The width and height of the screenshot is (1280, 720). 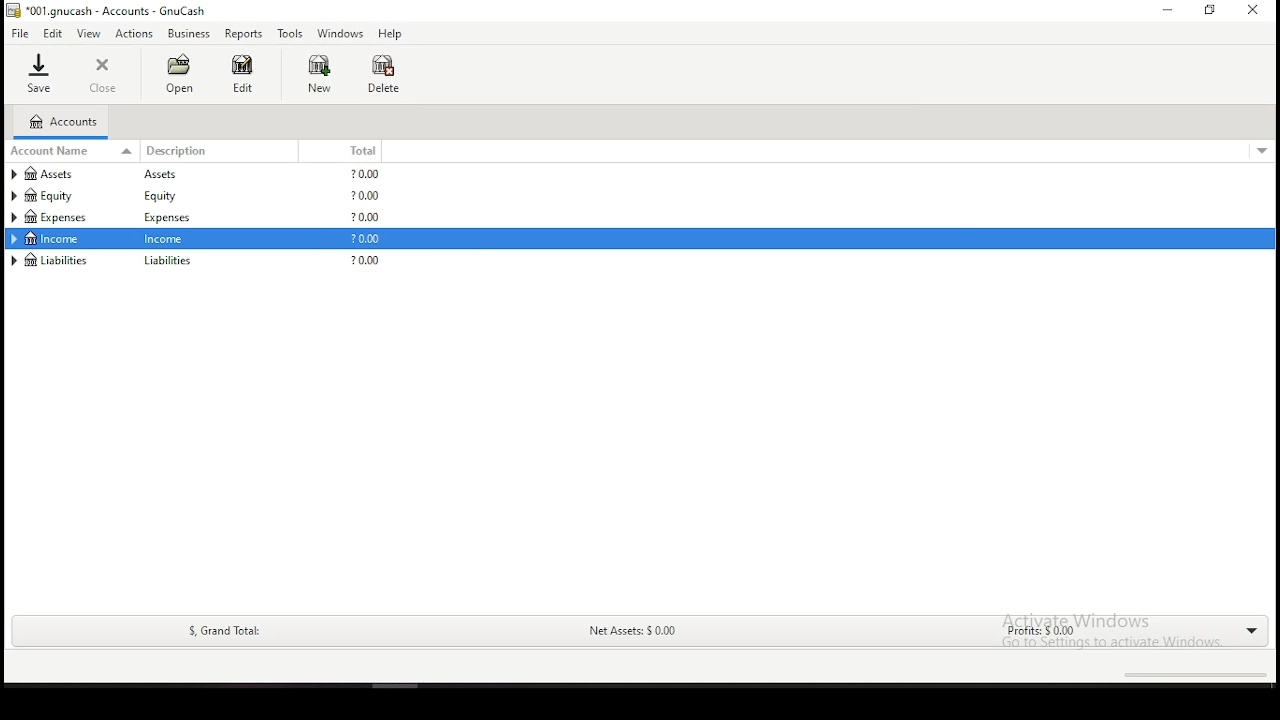 What do you see at coordinates (368, 217) in the screenshot?
I see `? 0.00` at bounding box center [368, 217].